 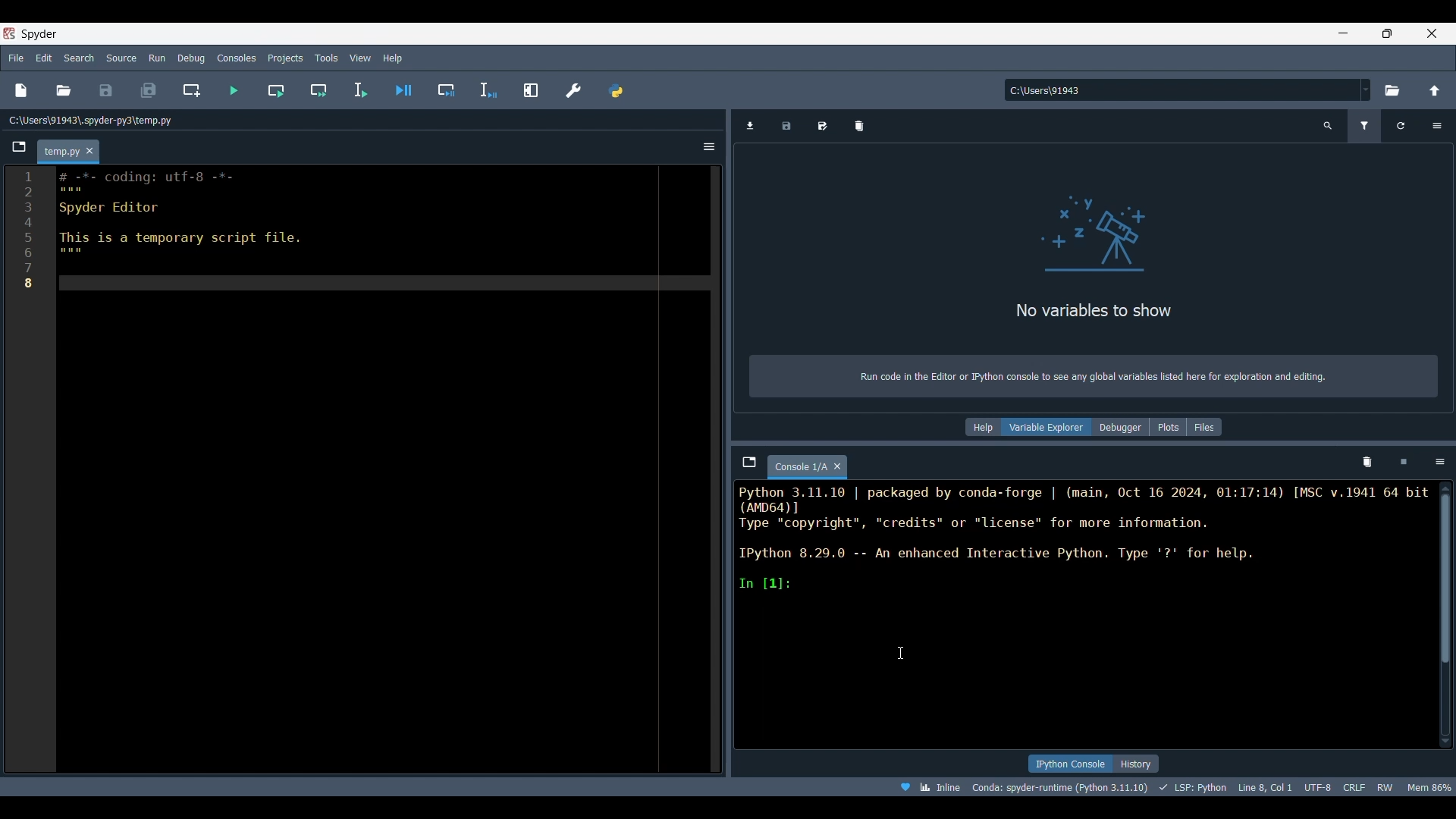 I want to click on Save, so click(x=105, y=90).